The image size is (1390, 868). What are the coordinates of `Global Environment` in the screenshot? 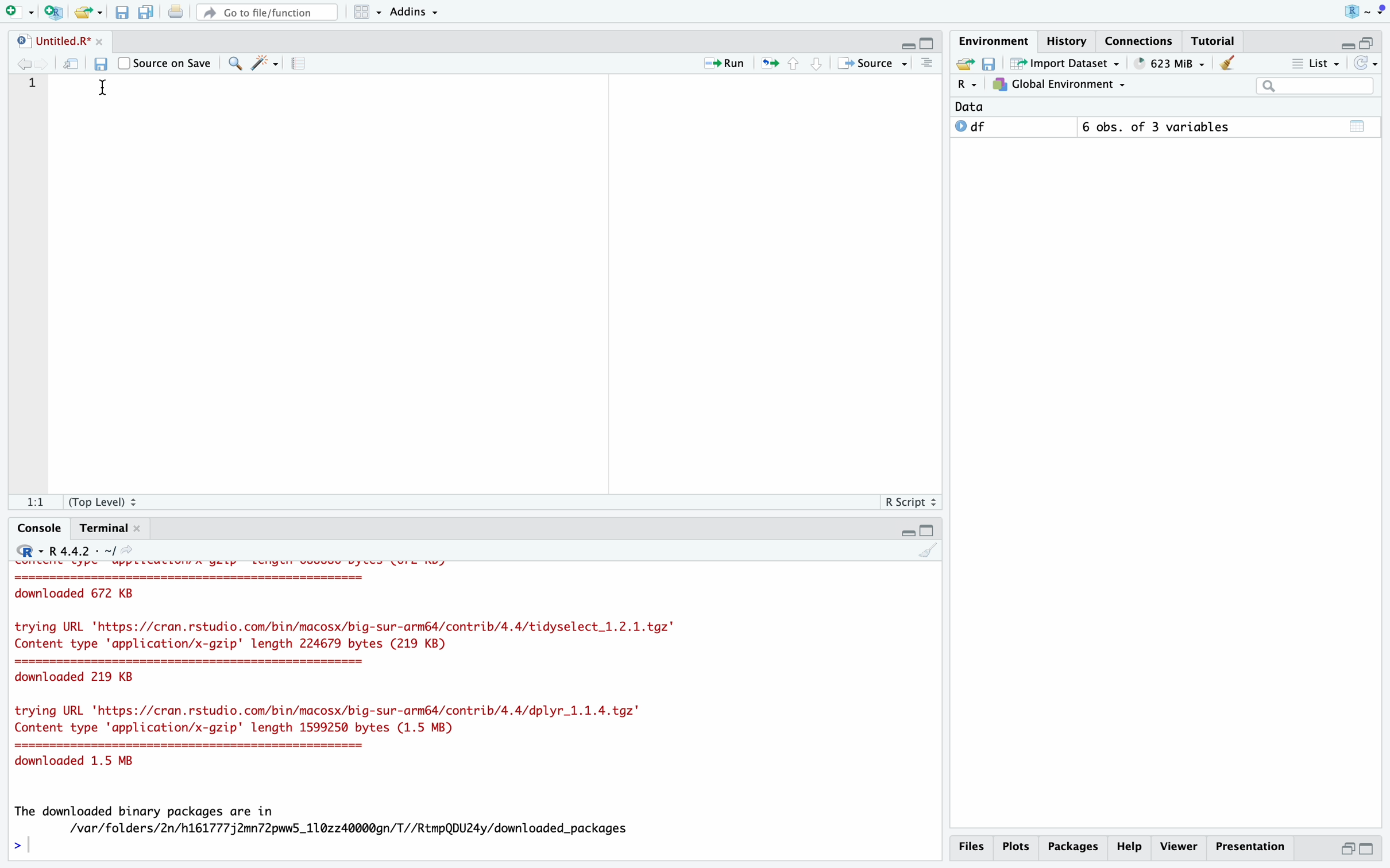 It's located at (1059, 86).